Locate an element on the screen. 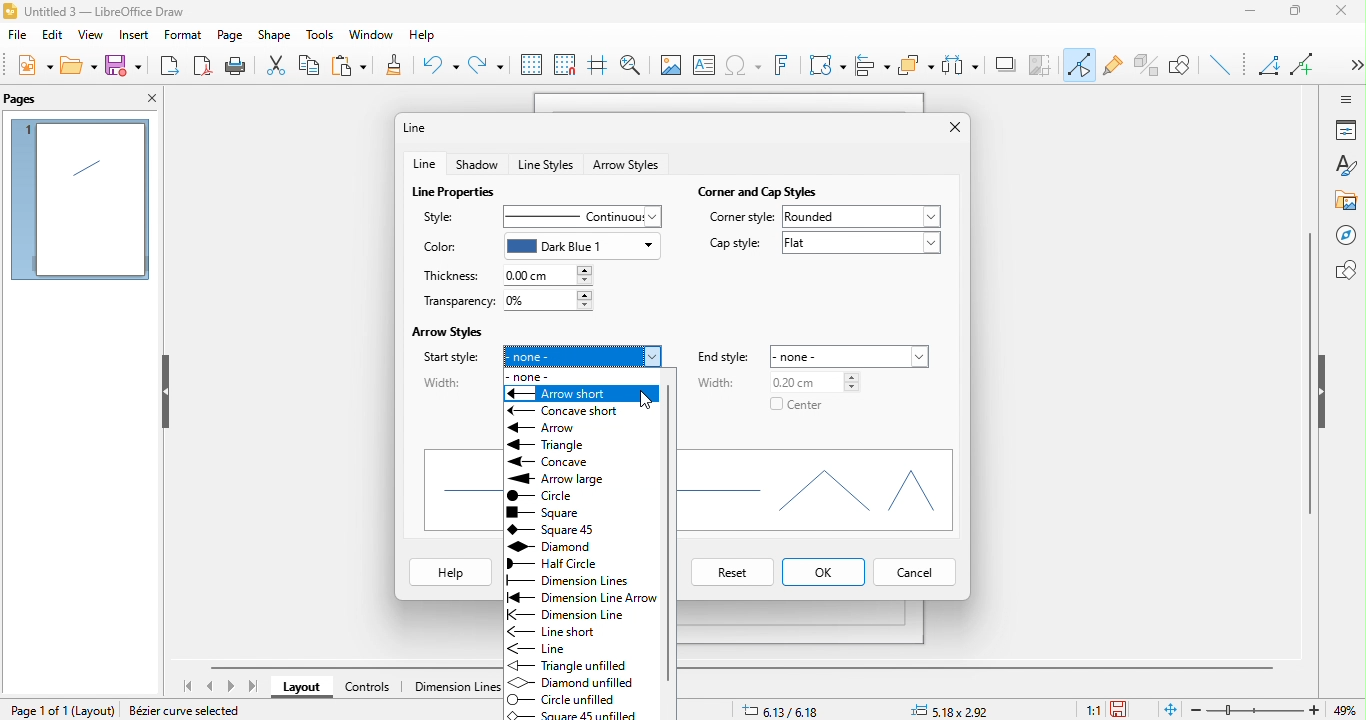 The height and width of the screenshot is (720, 1366). image is located at coordinates (668, 64).